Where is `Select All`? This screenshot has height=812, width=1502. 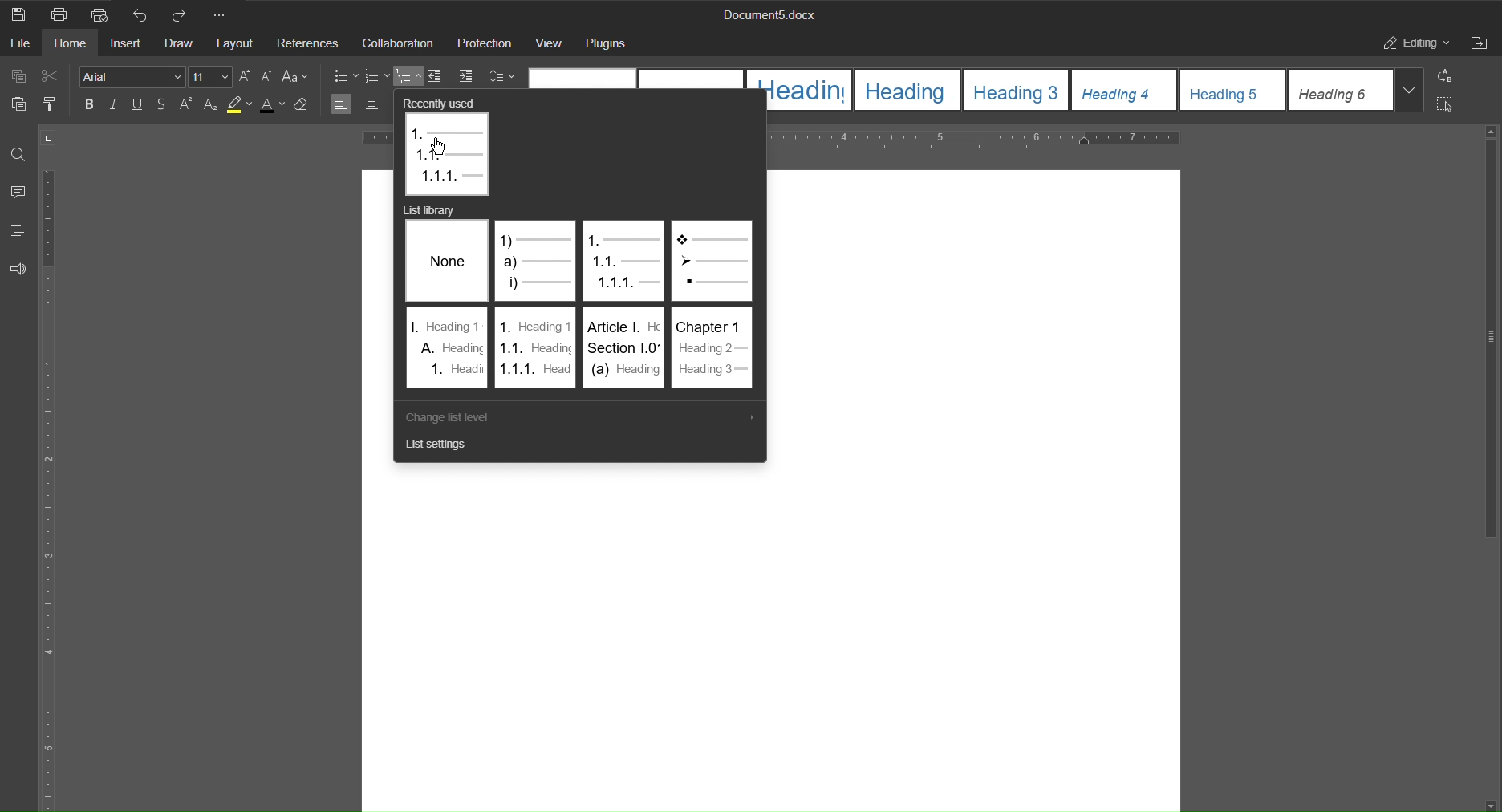
Select All is located at coordinates (1447, 105).